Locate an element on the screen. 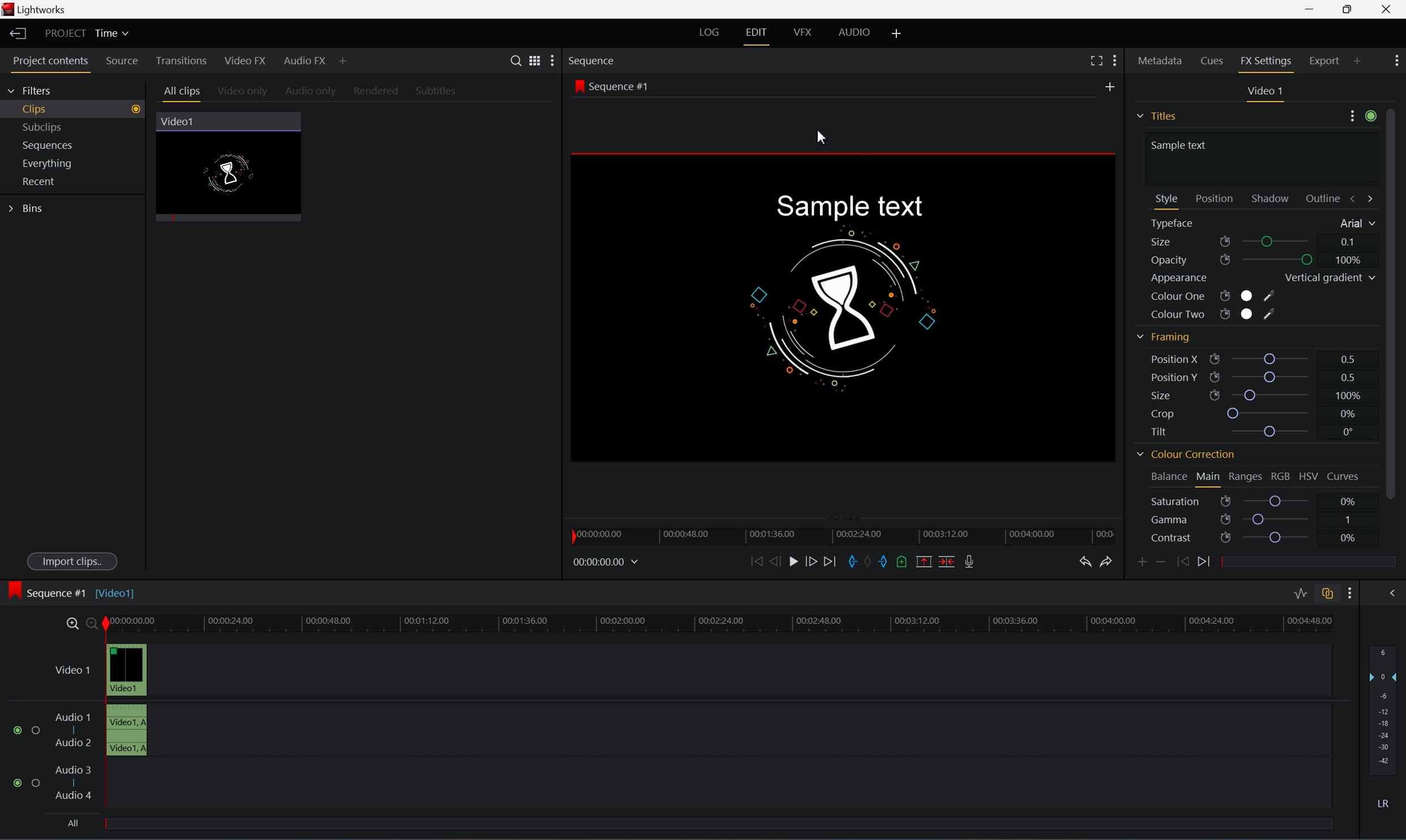 This screenshot has height=840, width=1406. fx settings is located at coordinates (1267, 63).